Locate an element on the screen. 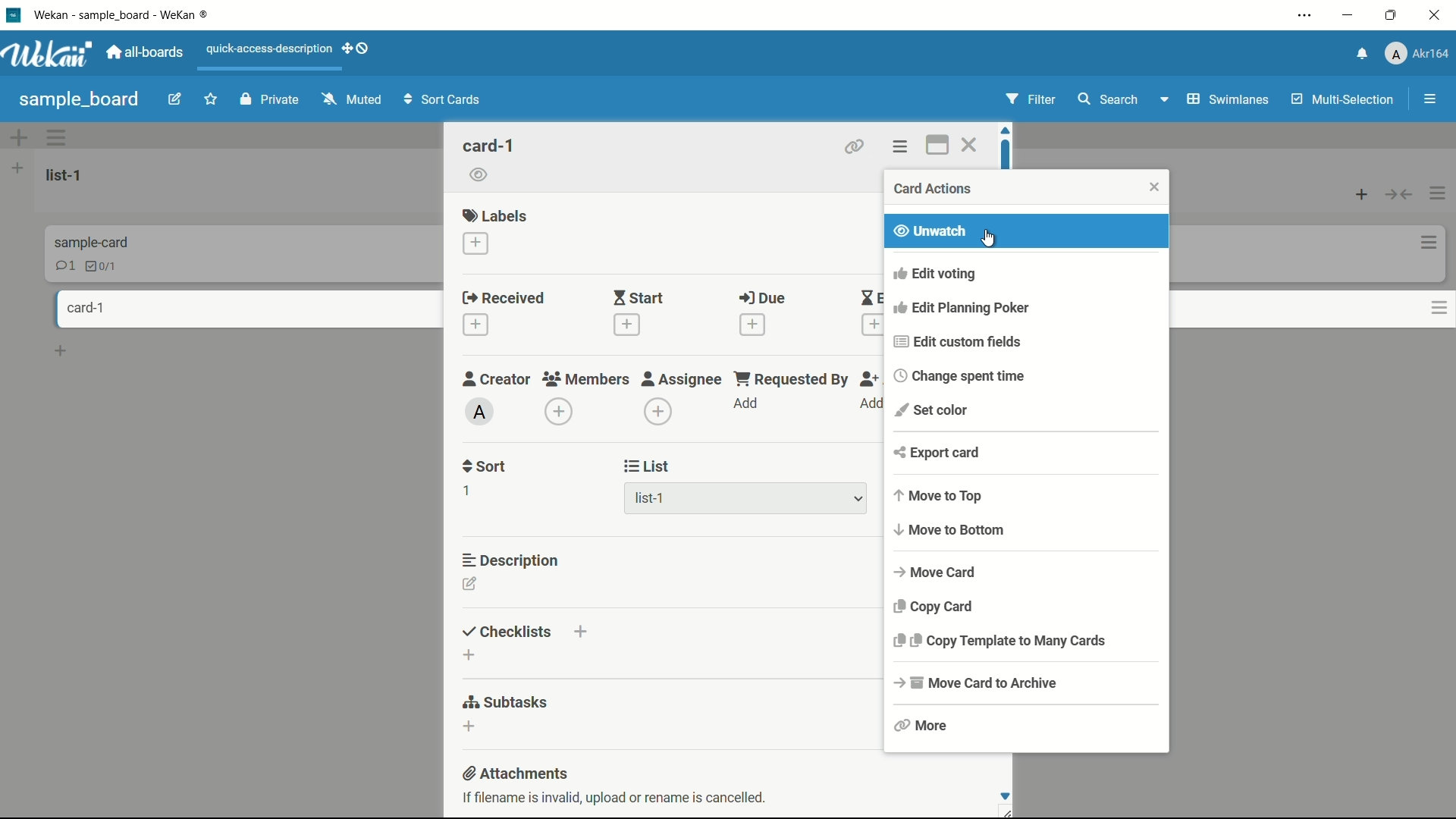 The image size is (1456, 819). add date is located at coordinates (752, 325).